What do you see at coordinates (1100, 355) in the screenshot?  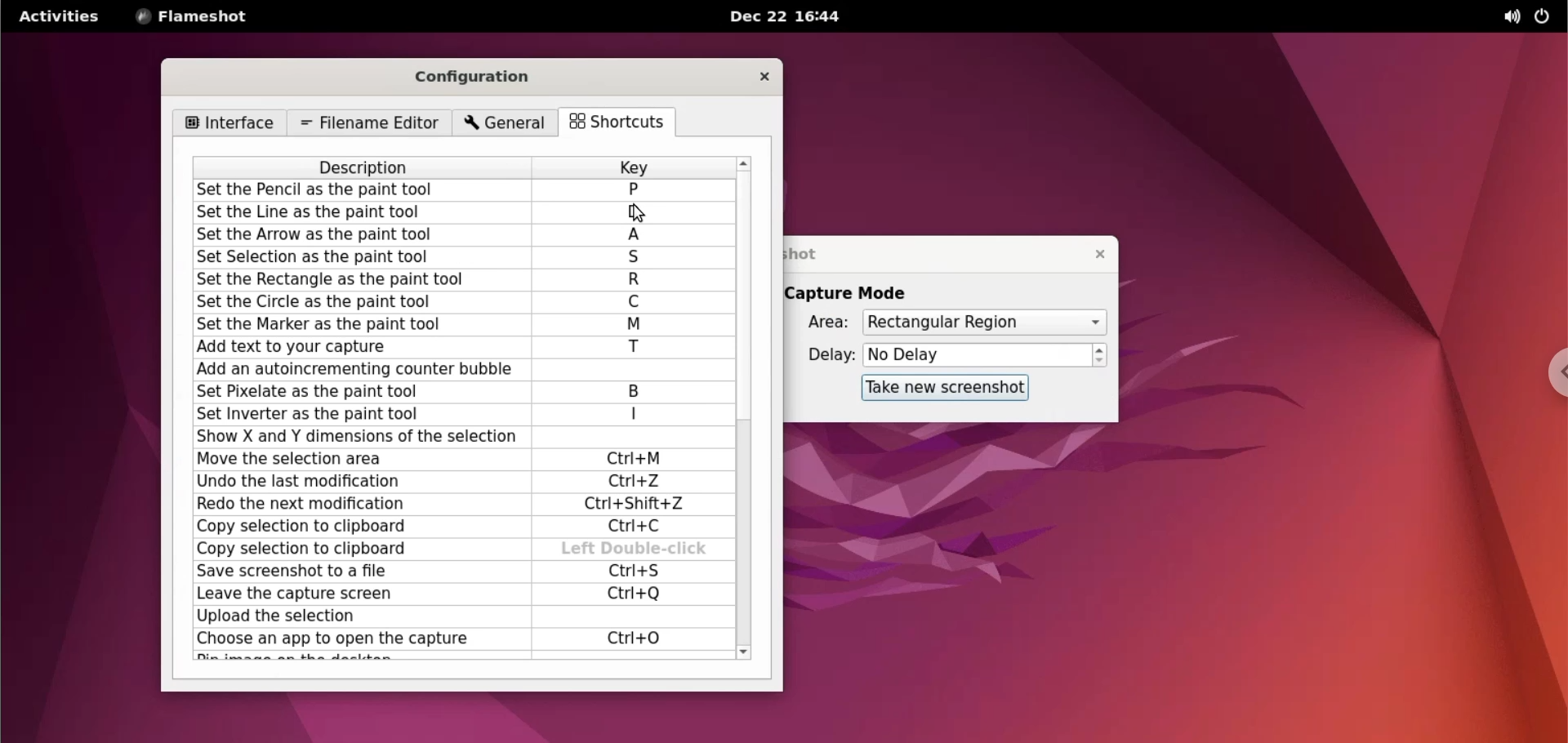 I see `increment or decrement delay ` at bounding box center [1100, 355].